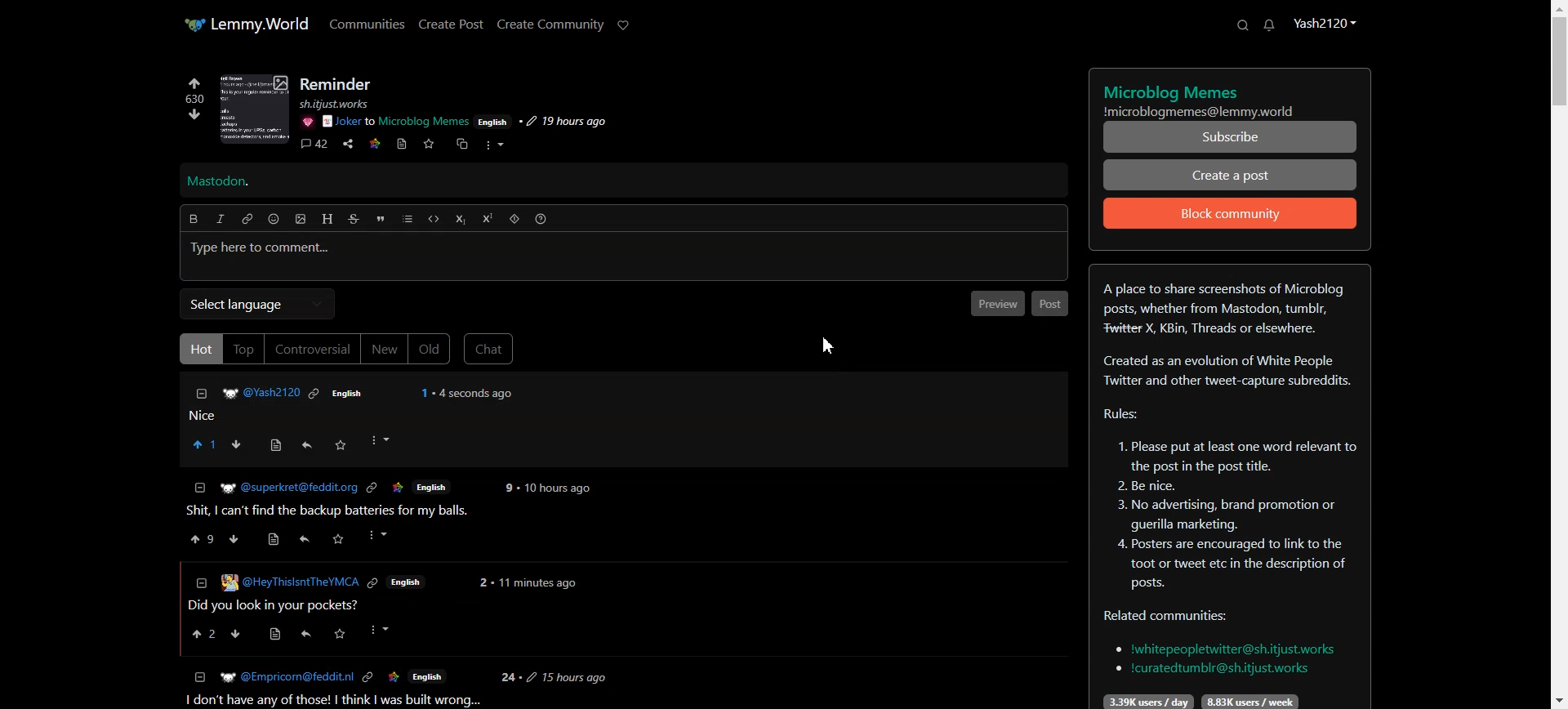 The width and height of the screenshot is (1568, 709). I want to click on , so click(540, 582).